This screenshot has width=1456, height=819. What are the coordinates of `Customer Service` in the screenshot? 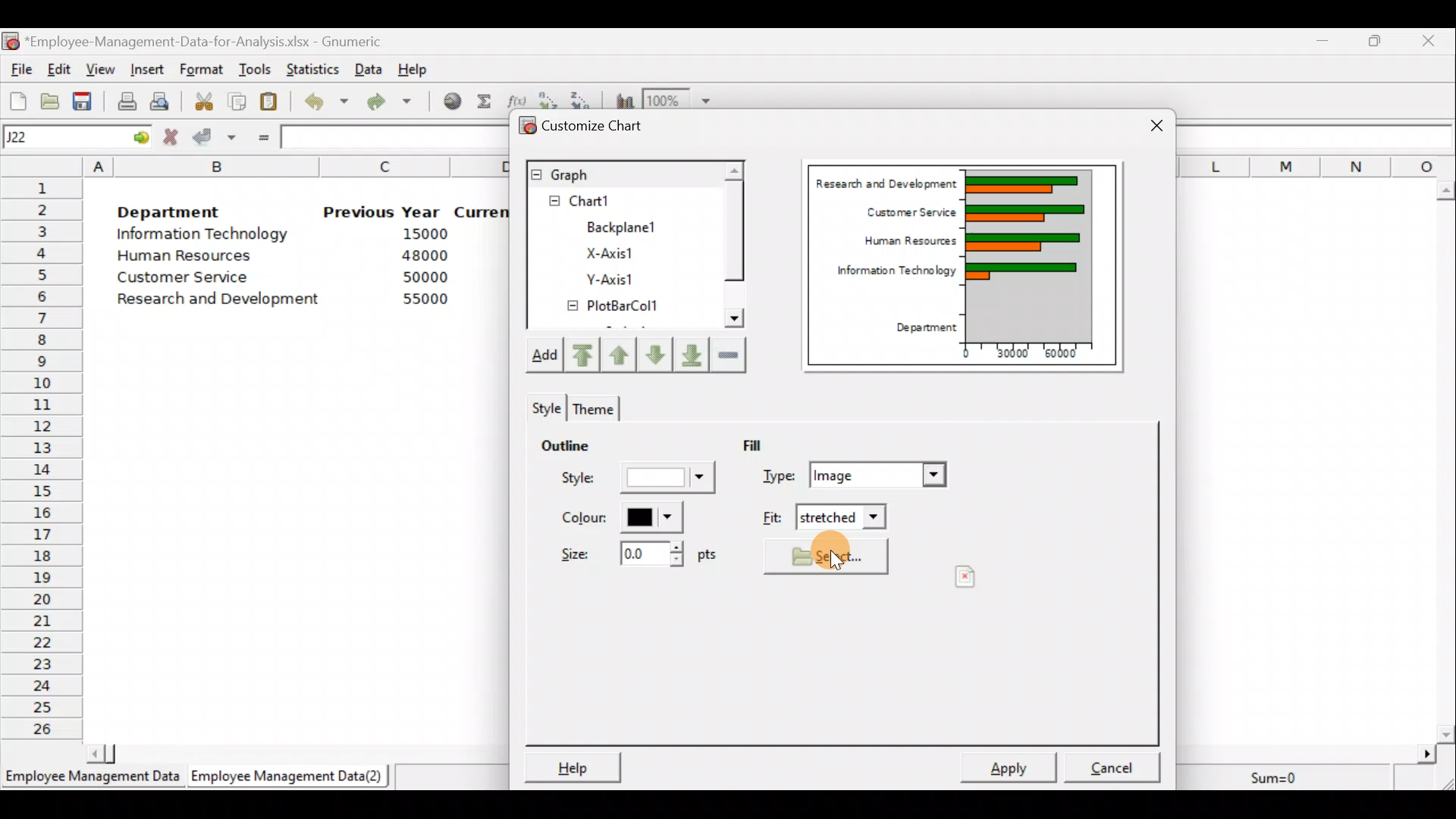 It's located at (176, 278).